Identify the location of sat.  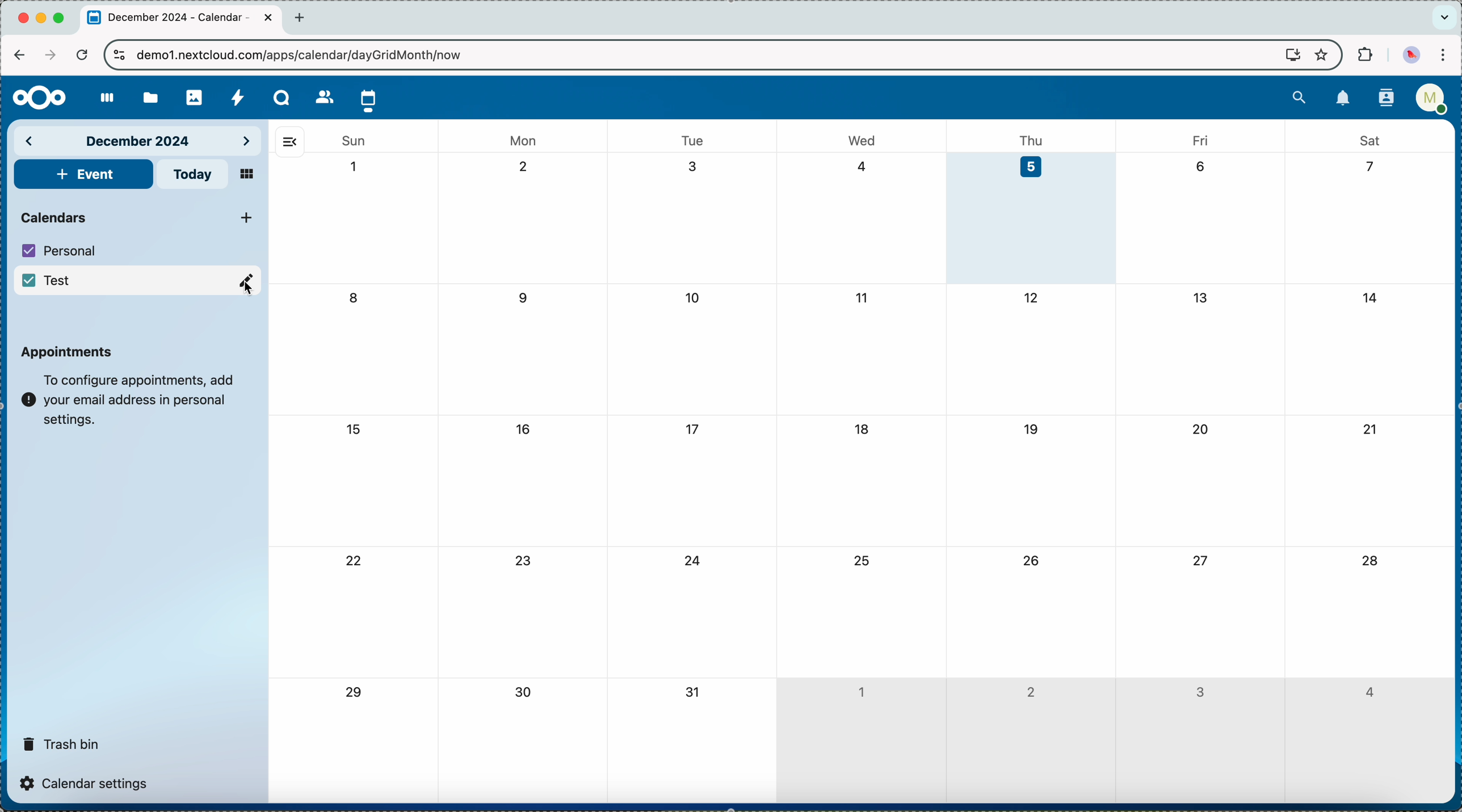
(1369, 140).